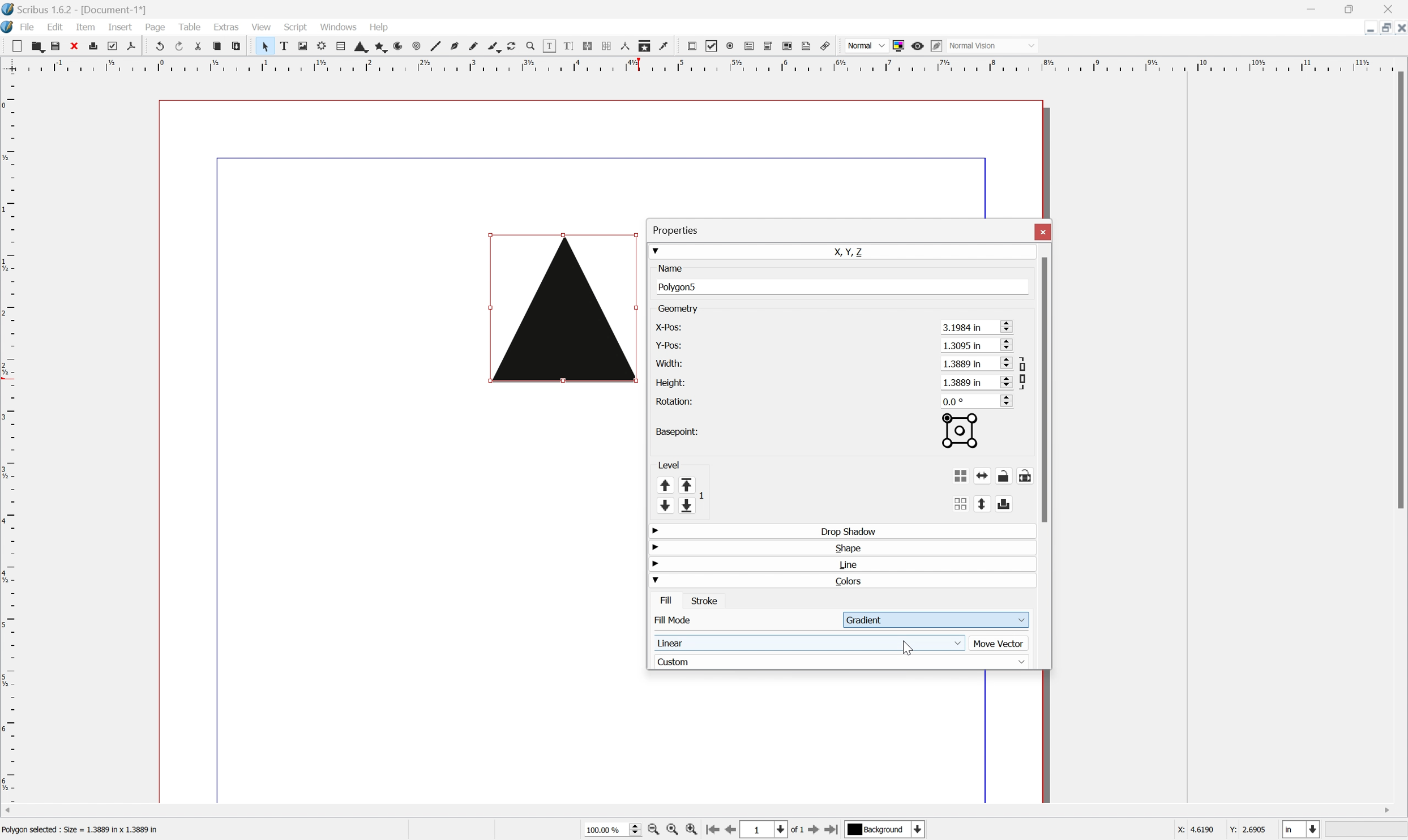 The image size is (1408, 840). What do you see at coordinates (703, 63) in the screenshot?
I see `Scale` at bounding box center [703, 63].